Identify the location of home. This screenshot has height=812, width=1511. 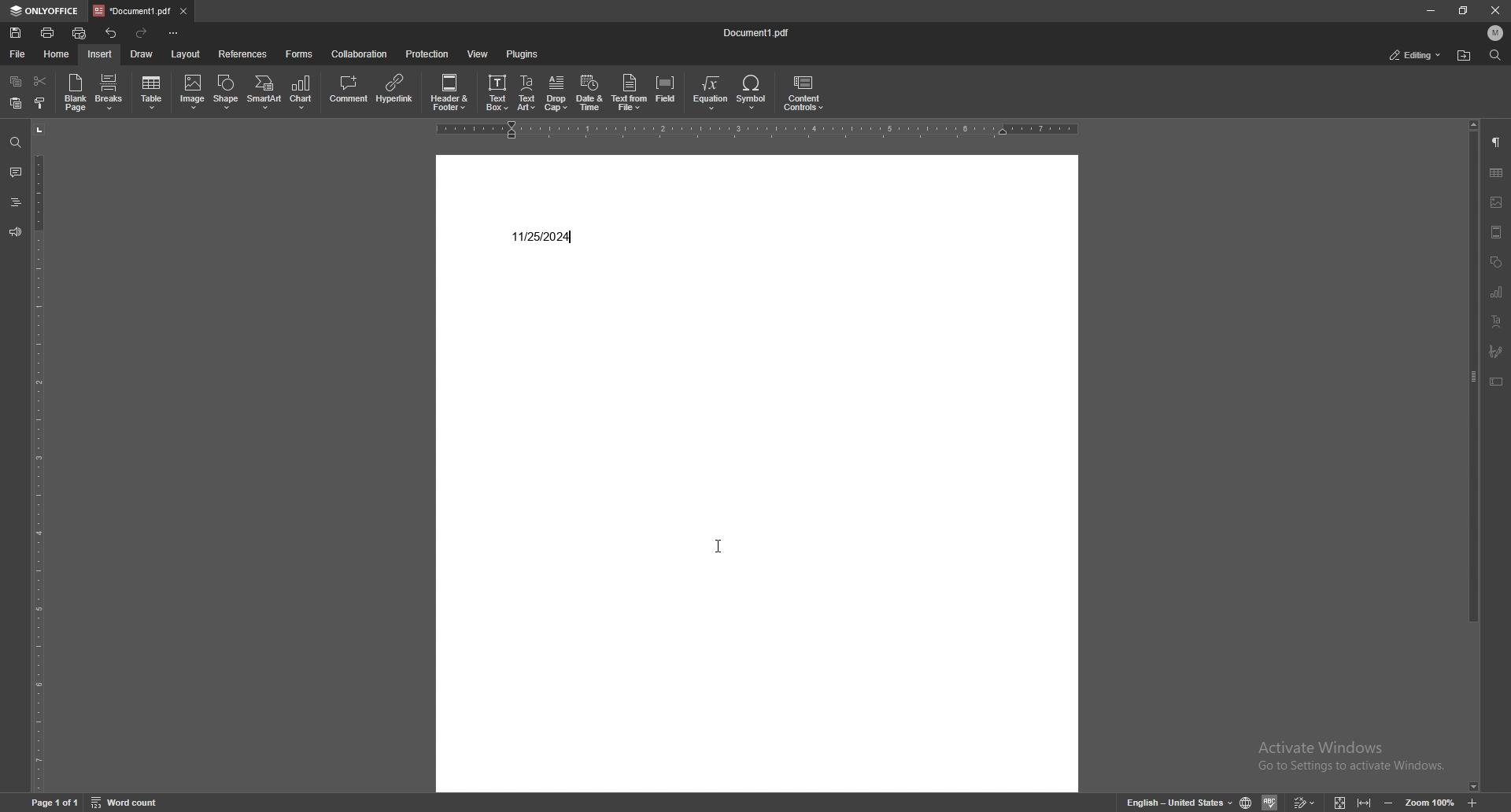
(58, 55).